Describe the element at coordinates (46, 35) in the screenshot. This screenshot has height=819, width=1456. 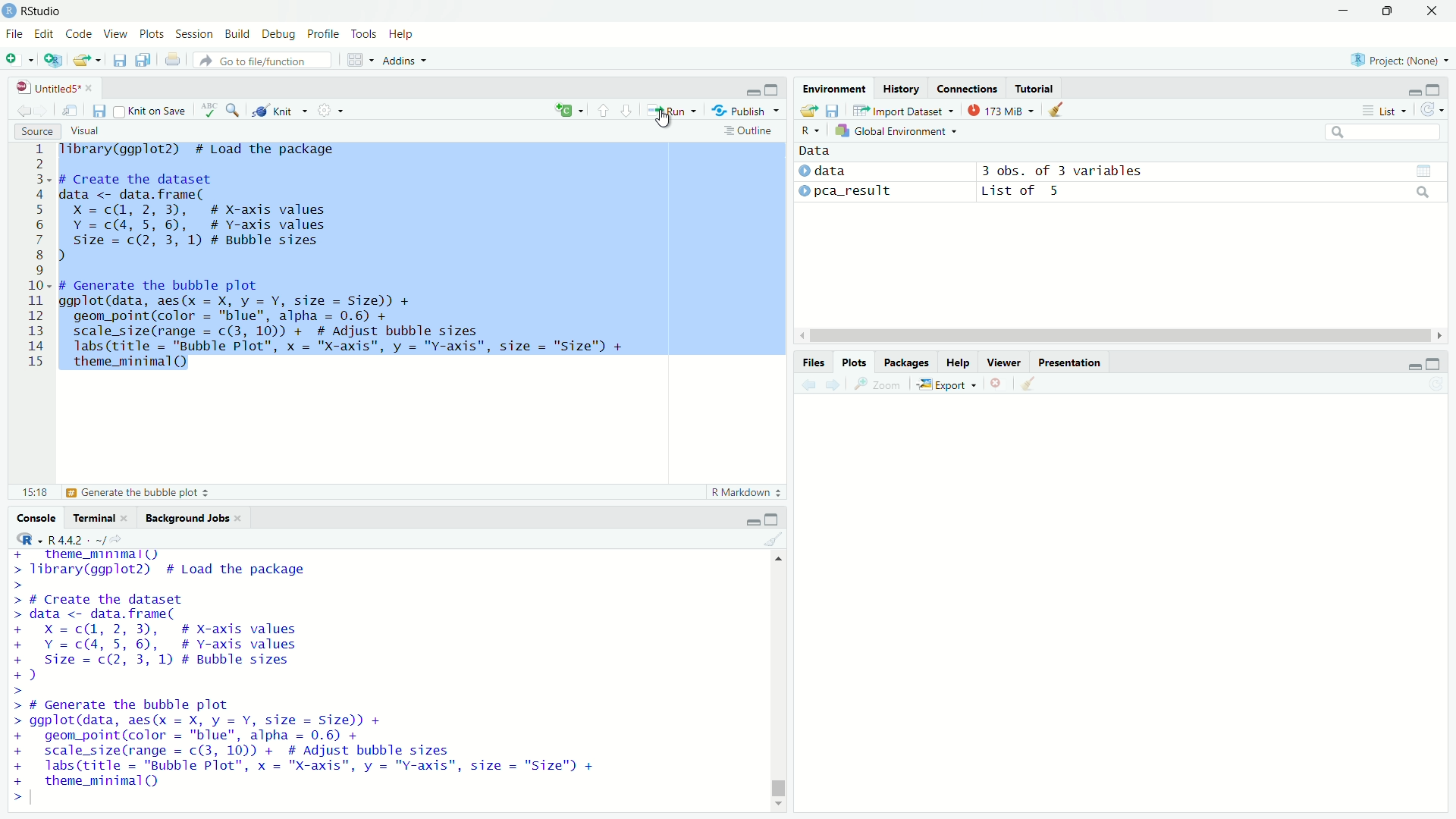
I see `Edit` at that location.